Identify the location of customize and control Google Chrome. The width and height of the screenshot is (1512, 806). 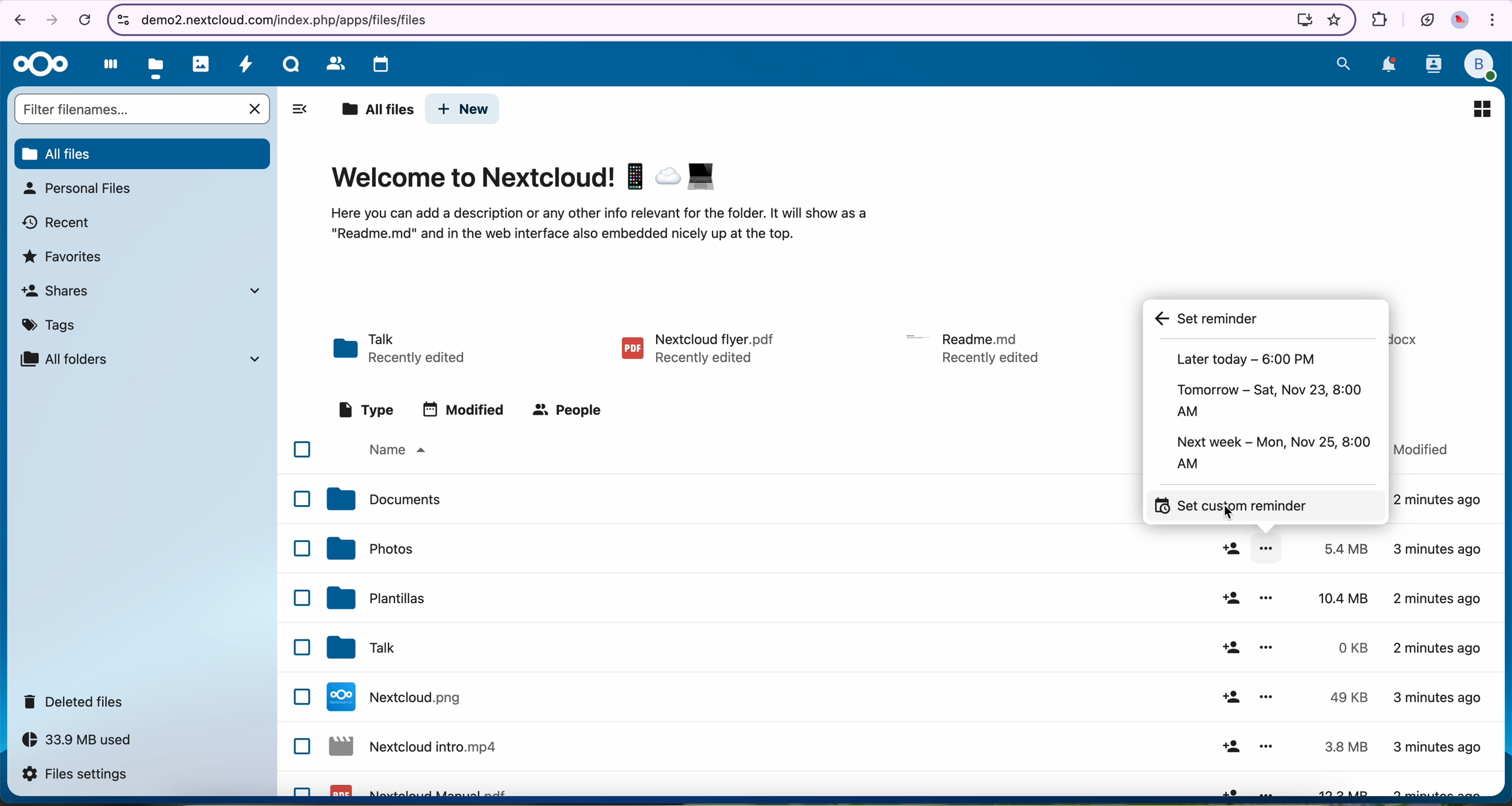
(1494, 22).